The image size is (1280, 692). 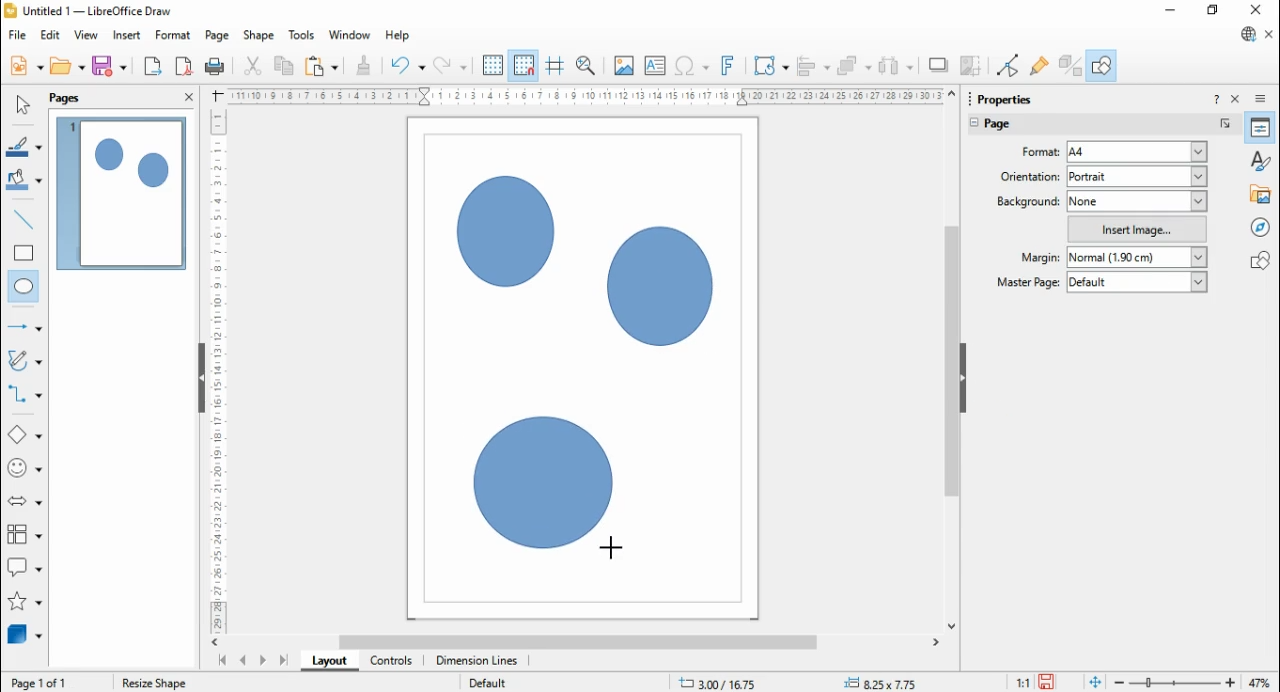 What do you see at coordinates (350, 35) in the screenshot?
I see `window` at bounding box center [350, 35].